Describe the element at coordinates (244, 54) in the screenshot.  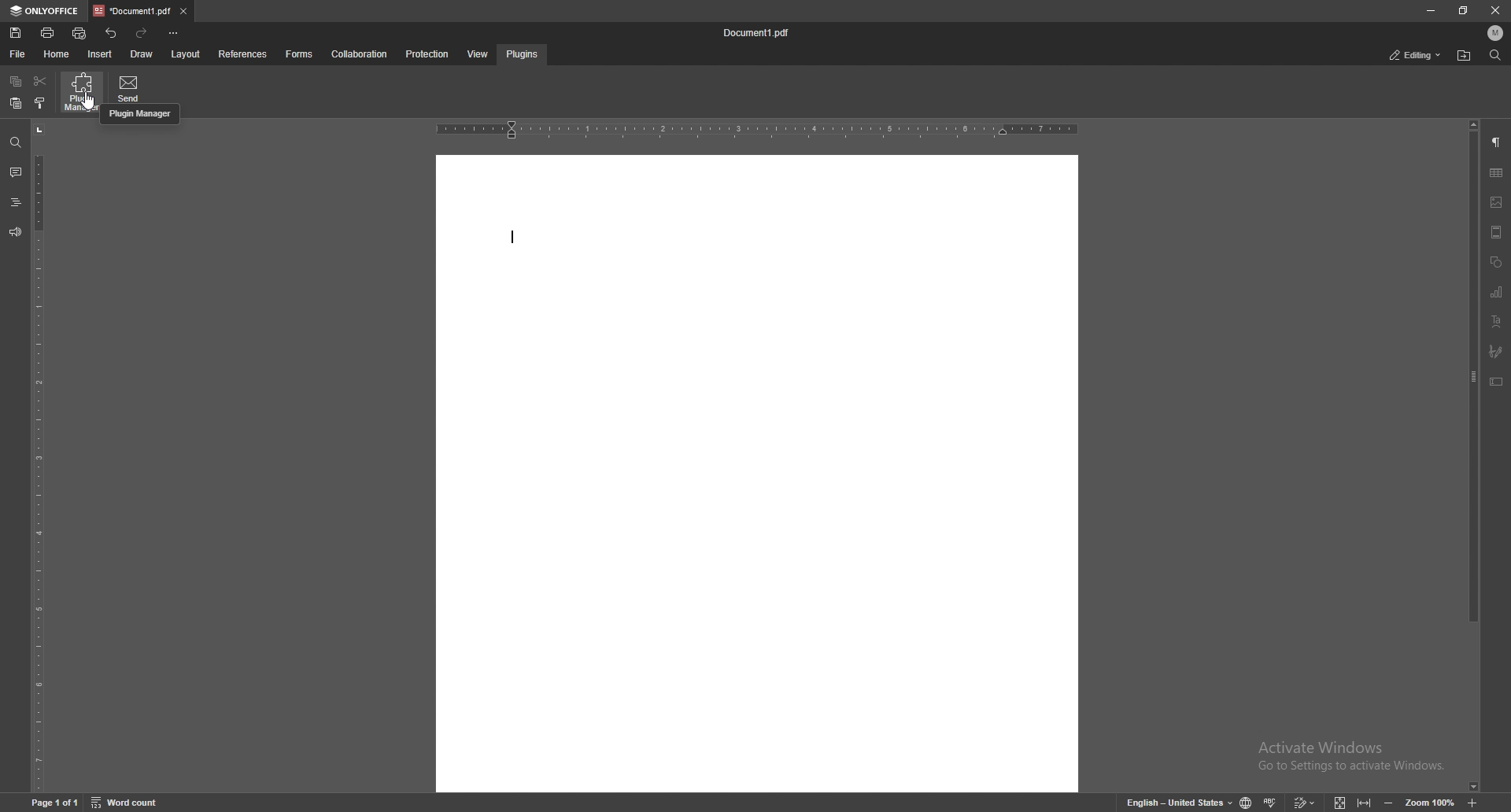
I see `references` at that location.